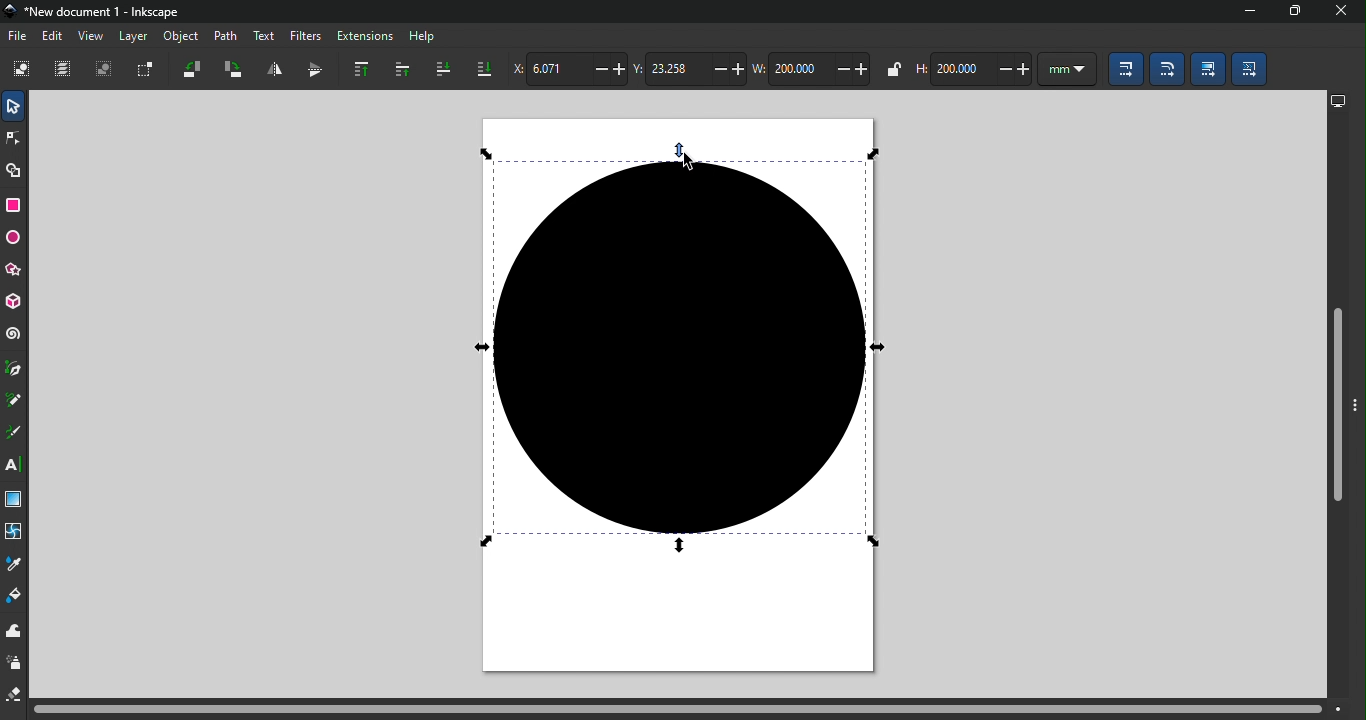 The height and width of the screenshot is (720, 1366). Describe the element at coordinates (1165, 67) in the screenshot. I see `When scaling rectangles, scale the radii of rounded corners` at that location.